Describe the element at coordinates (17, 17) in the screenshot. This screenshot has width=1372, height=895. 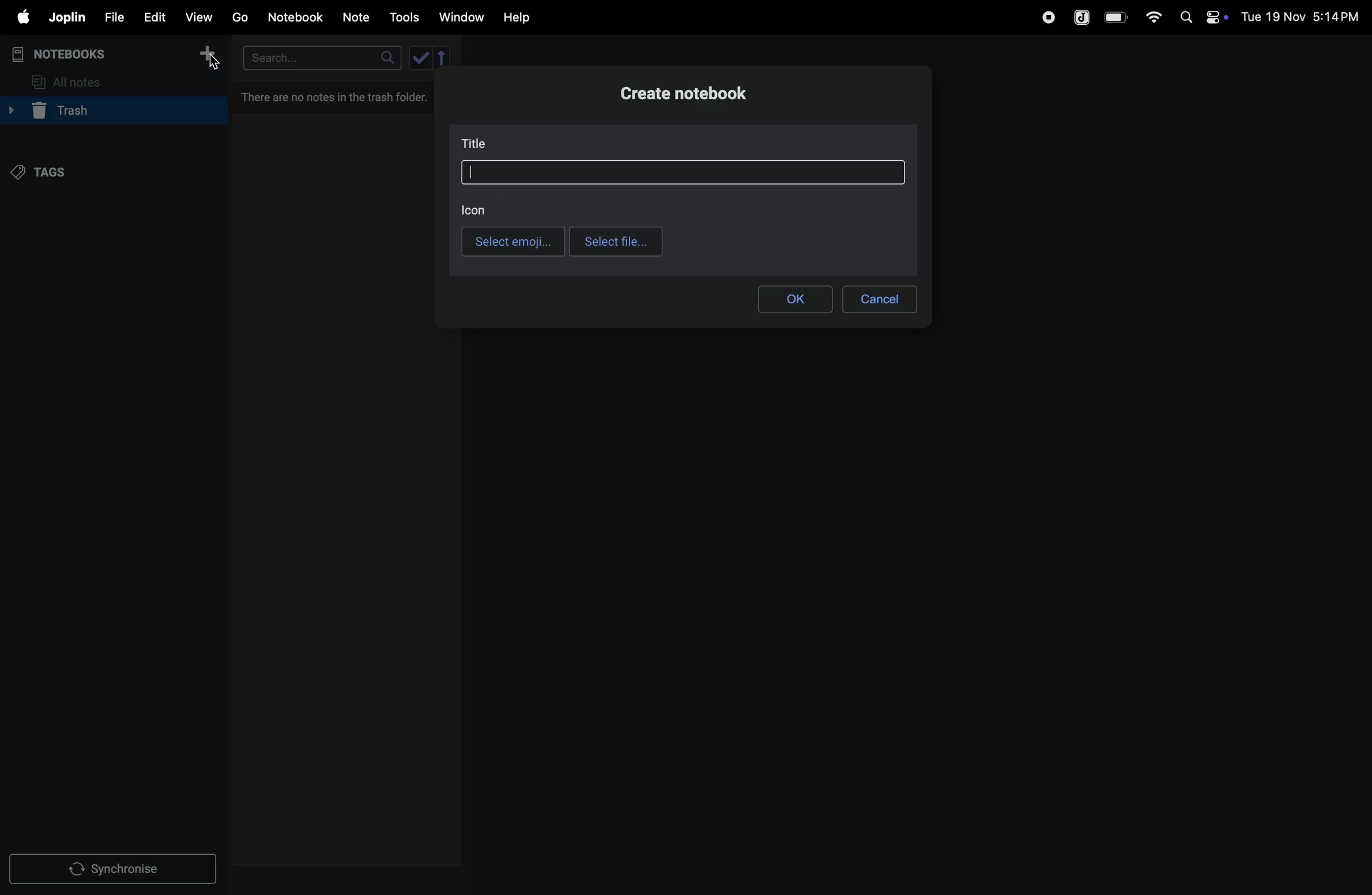
I see `apple menu` at that location.